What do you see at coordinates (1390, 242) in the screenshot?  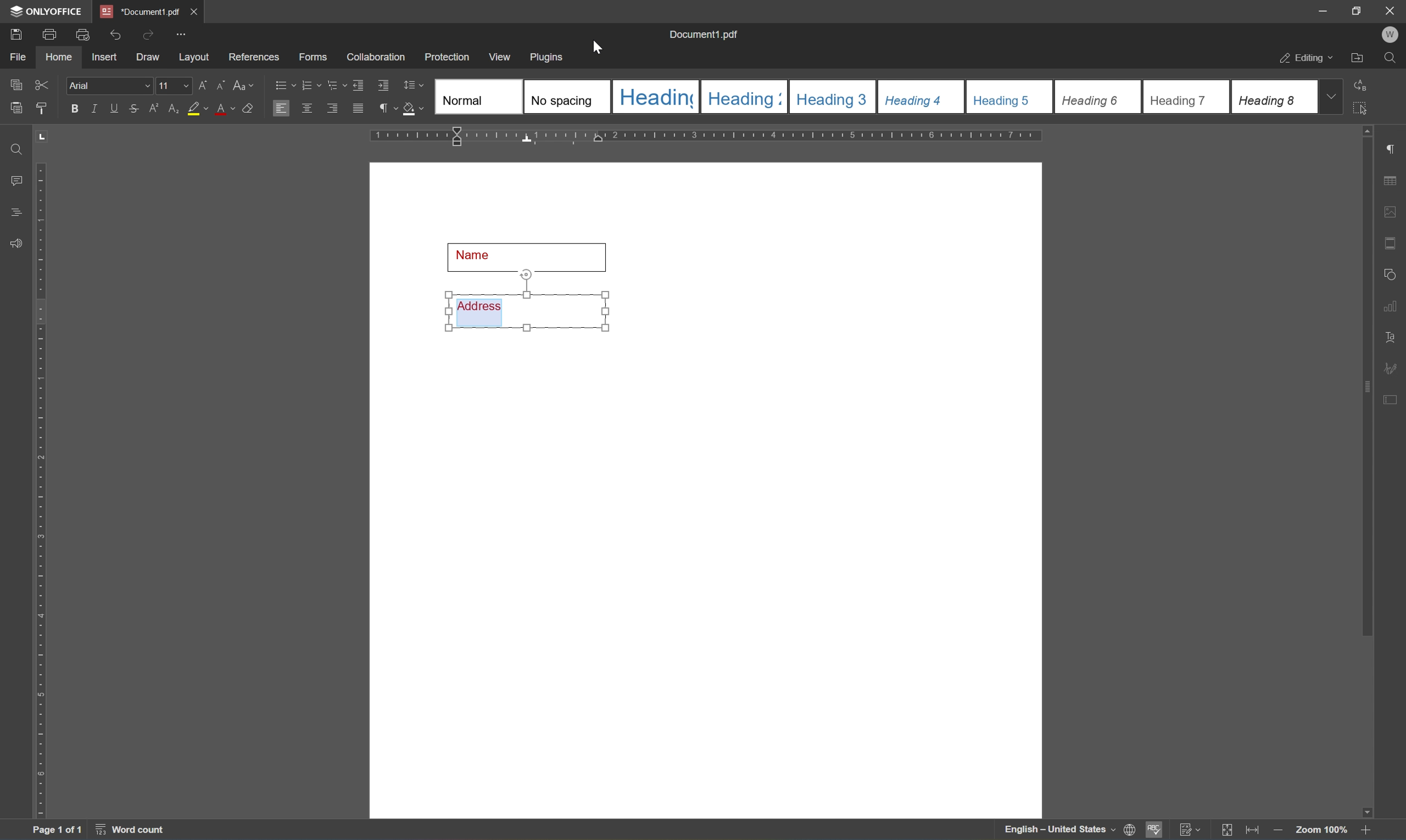 I see `header and footer settings` at bounding box center [1390, 242].